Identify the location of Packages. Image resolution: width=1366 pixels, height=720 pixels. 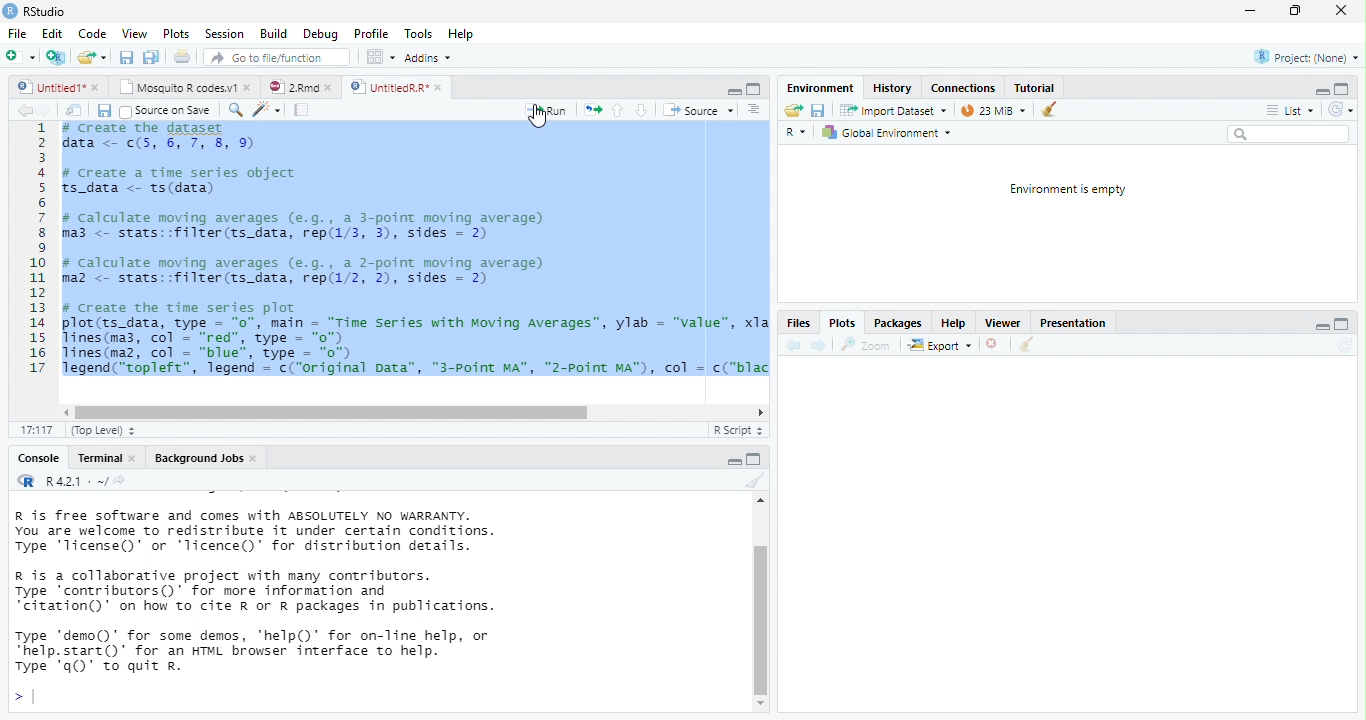
(898, 323).